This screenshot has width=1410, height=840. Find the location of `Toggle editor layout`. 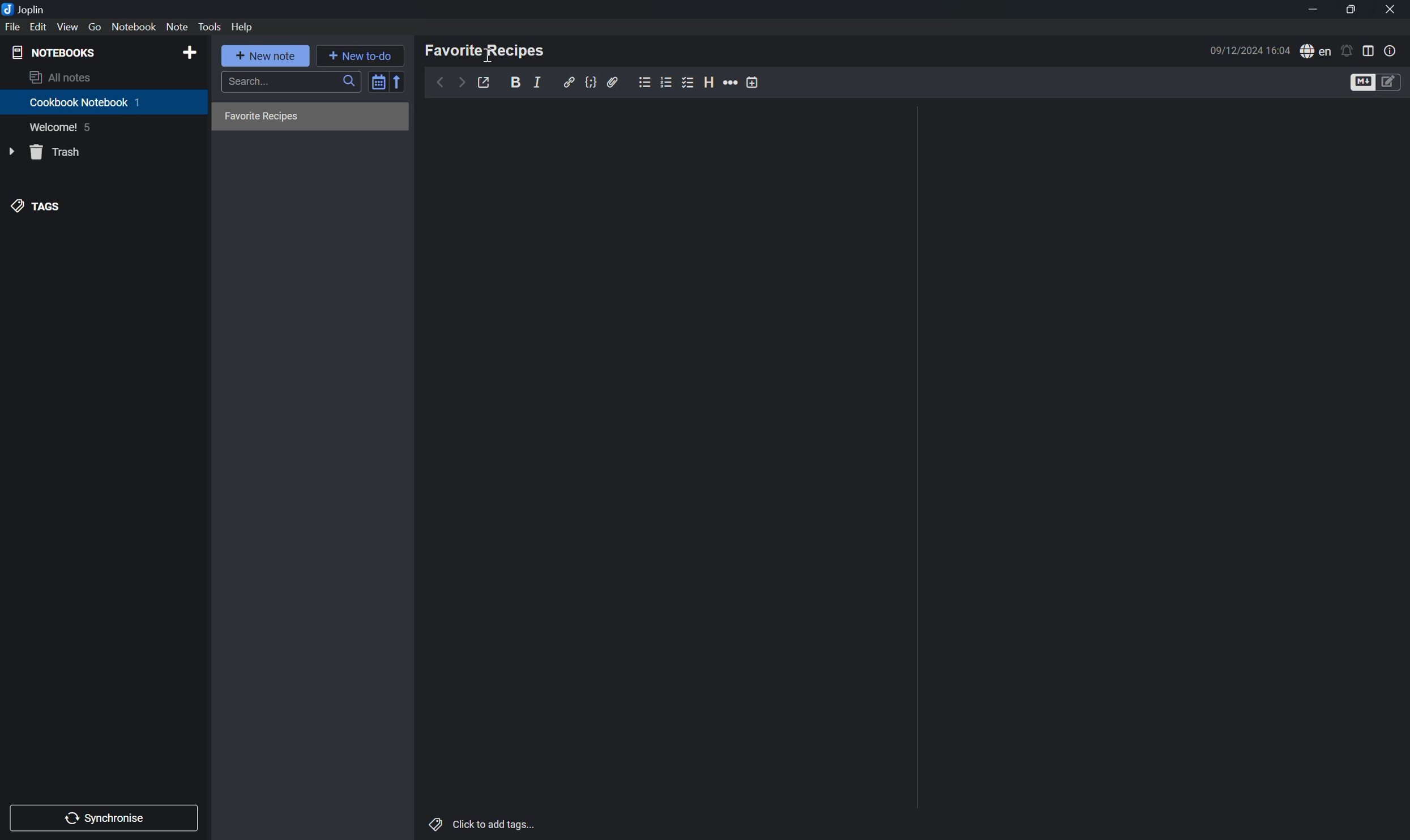

Toggle editor layout is located at coordinates (1371, 50).